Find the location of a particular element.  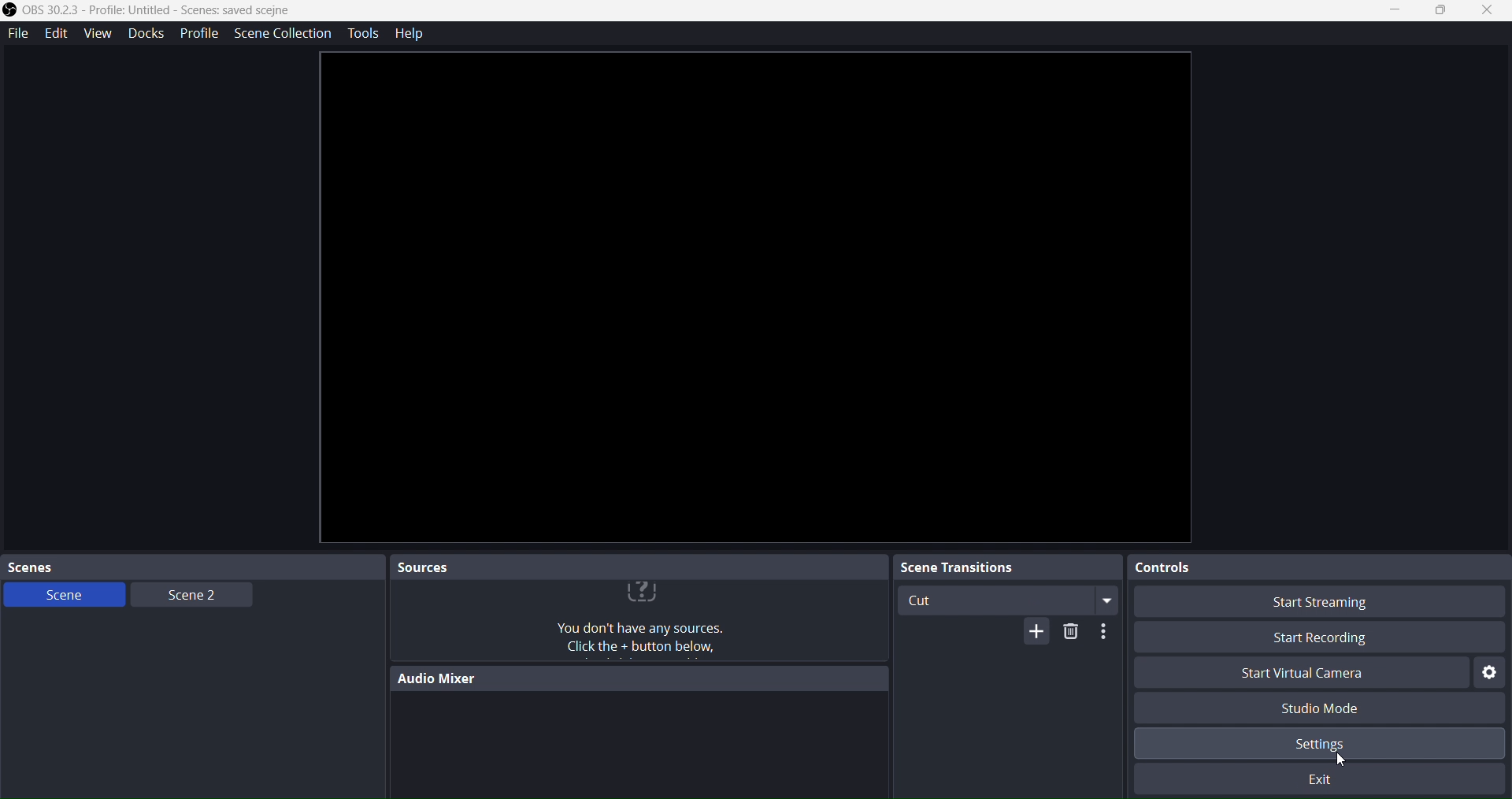

Close is located at coordinates (1488, 11).